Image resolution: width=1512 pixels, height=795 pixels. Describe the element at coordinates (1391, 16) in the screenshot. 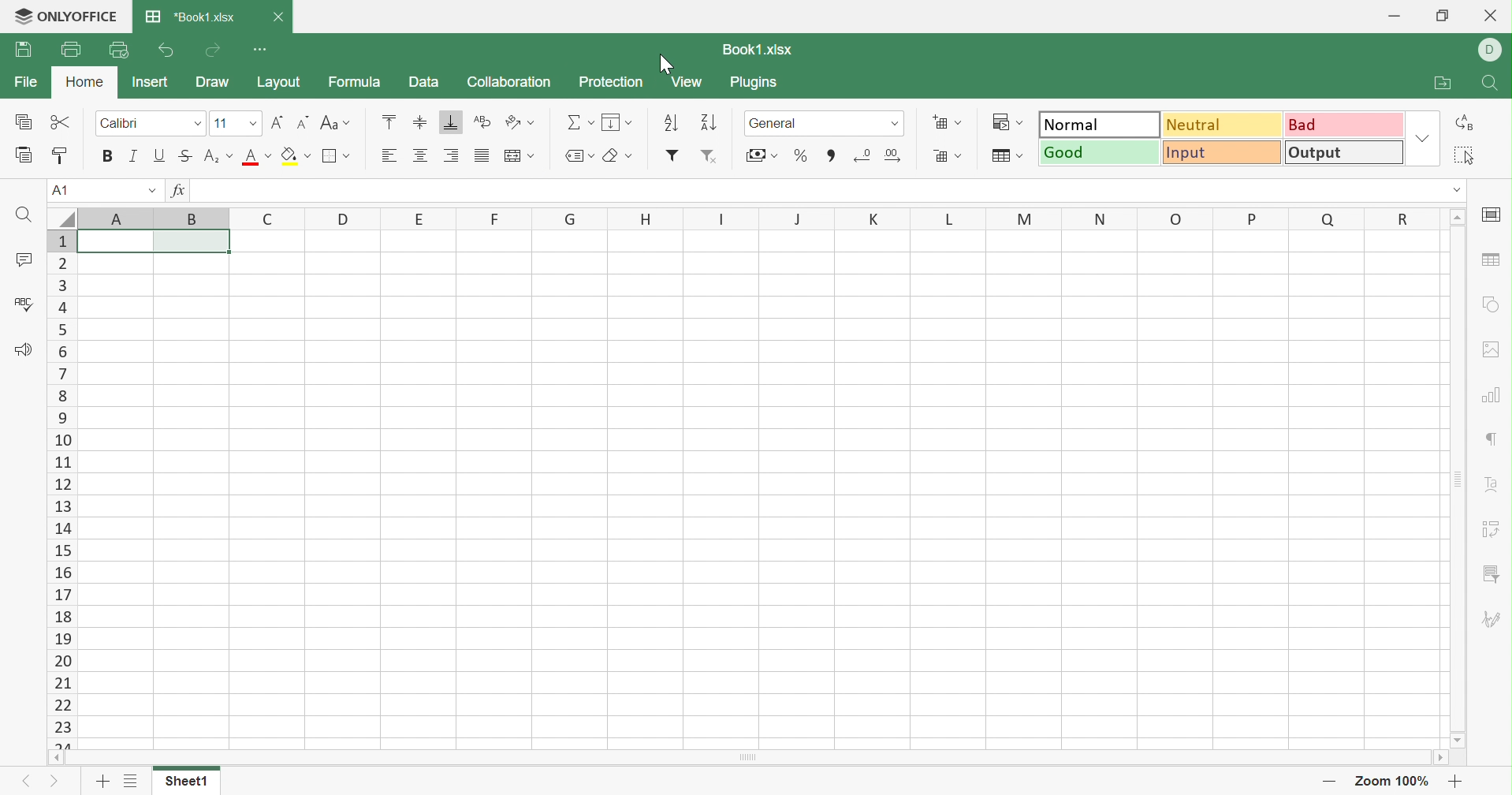

I see `Minimize` at that location.